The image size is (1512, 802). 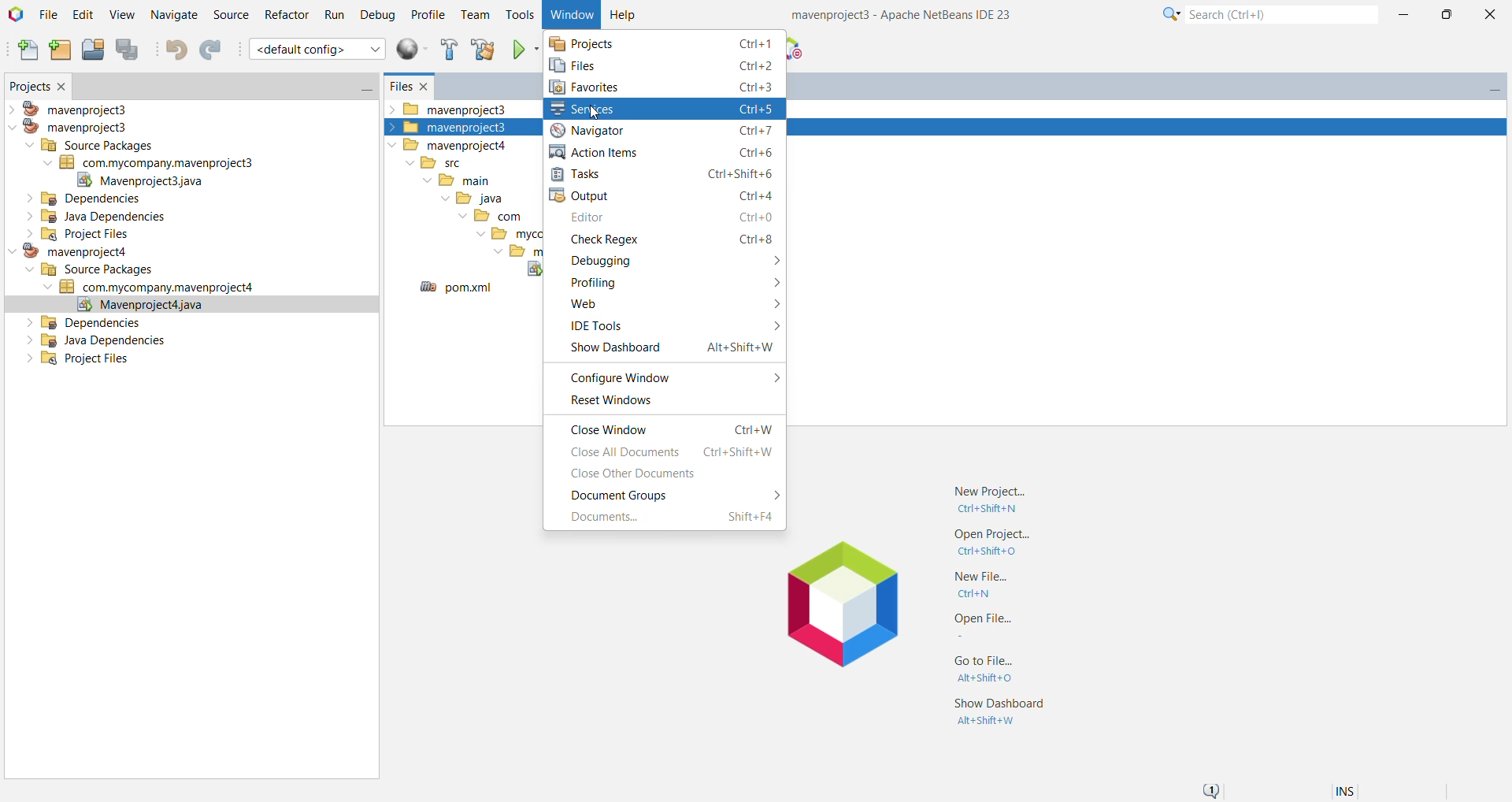 I want to click on Application Name and Version, so click(x=903, y=16).